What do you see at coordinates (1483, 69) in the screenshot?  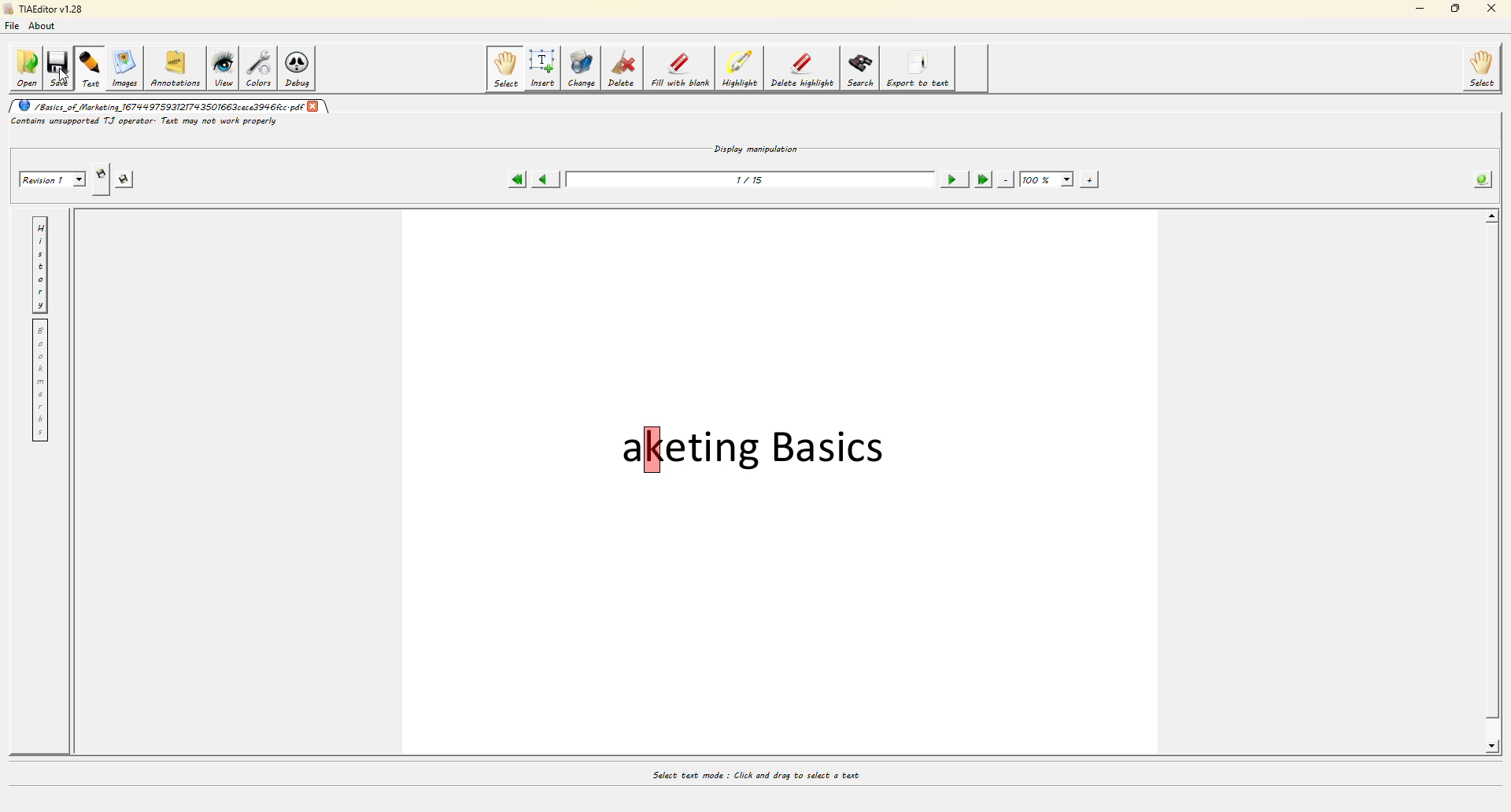 I see `select` at bounding box center [1483, 69].